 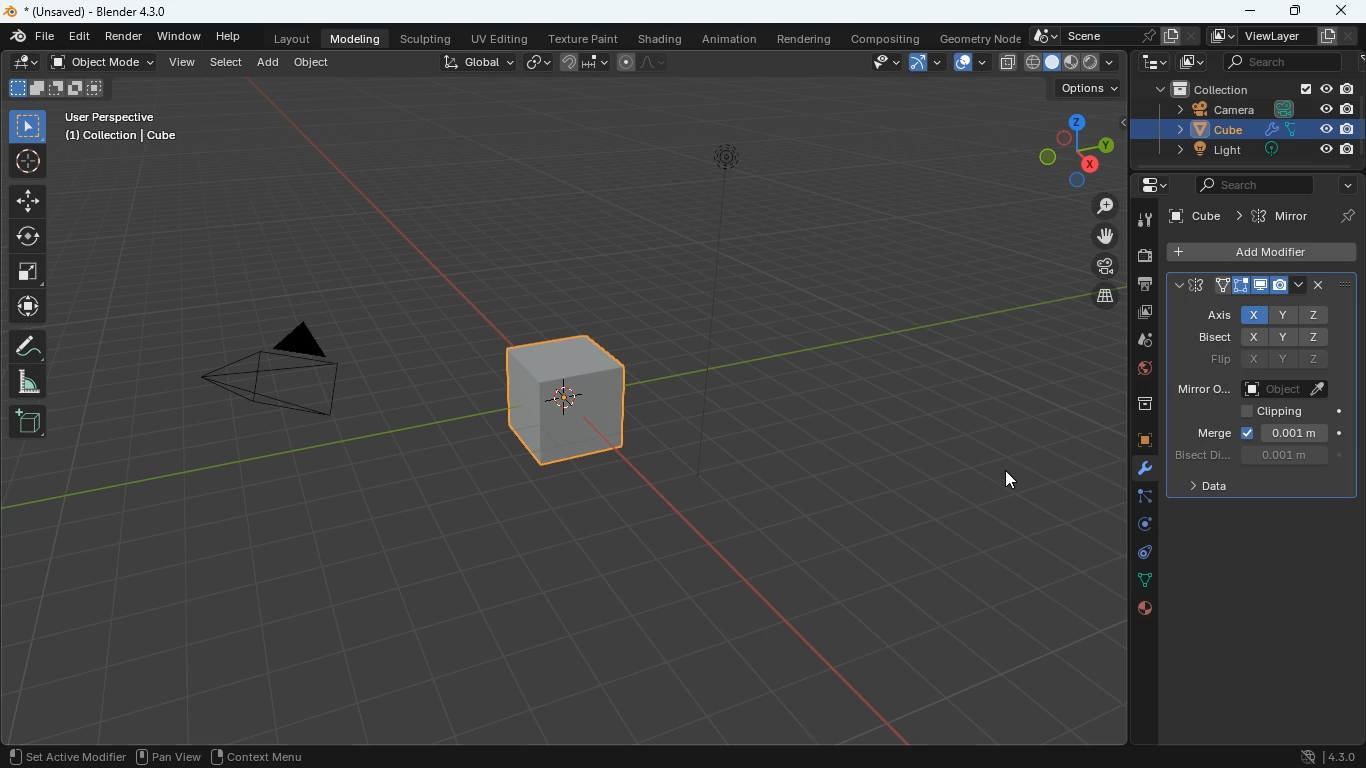 What do you see at coordinates (1212, 337) in the screenshot?
I see `bisect` at bounding box center [1212, 337].